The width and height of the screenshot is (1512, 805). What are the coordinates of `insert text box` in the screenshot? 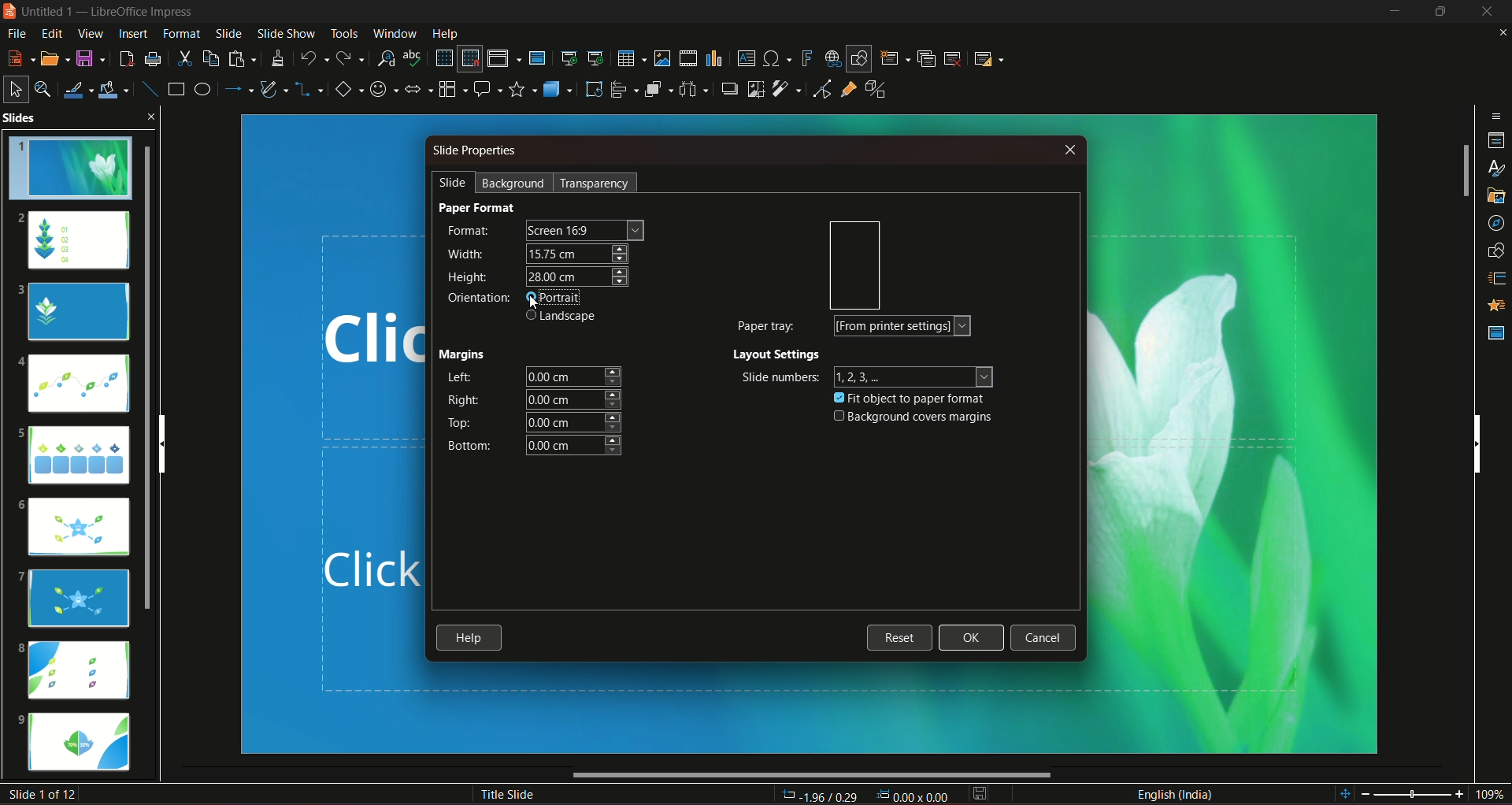 It's located at (746, 57).